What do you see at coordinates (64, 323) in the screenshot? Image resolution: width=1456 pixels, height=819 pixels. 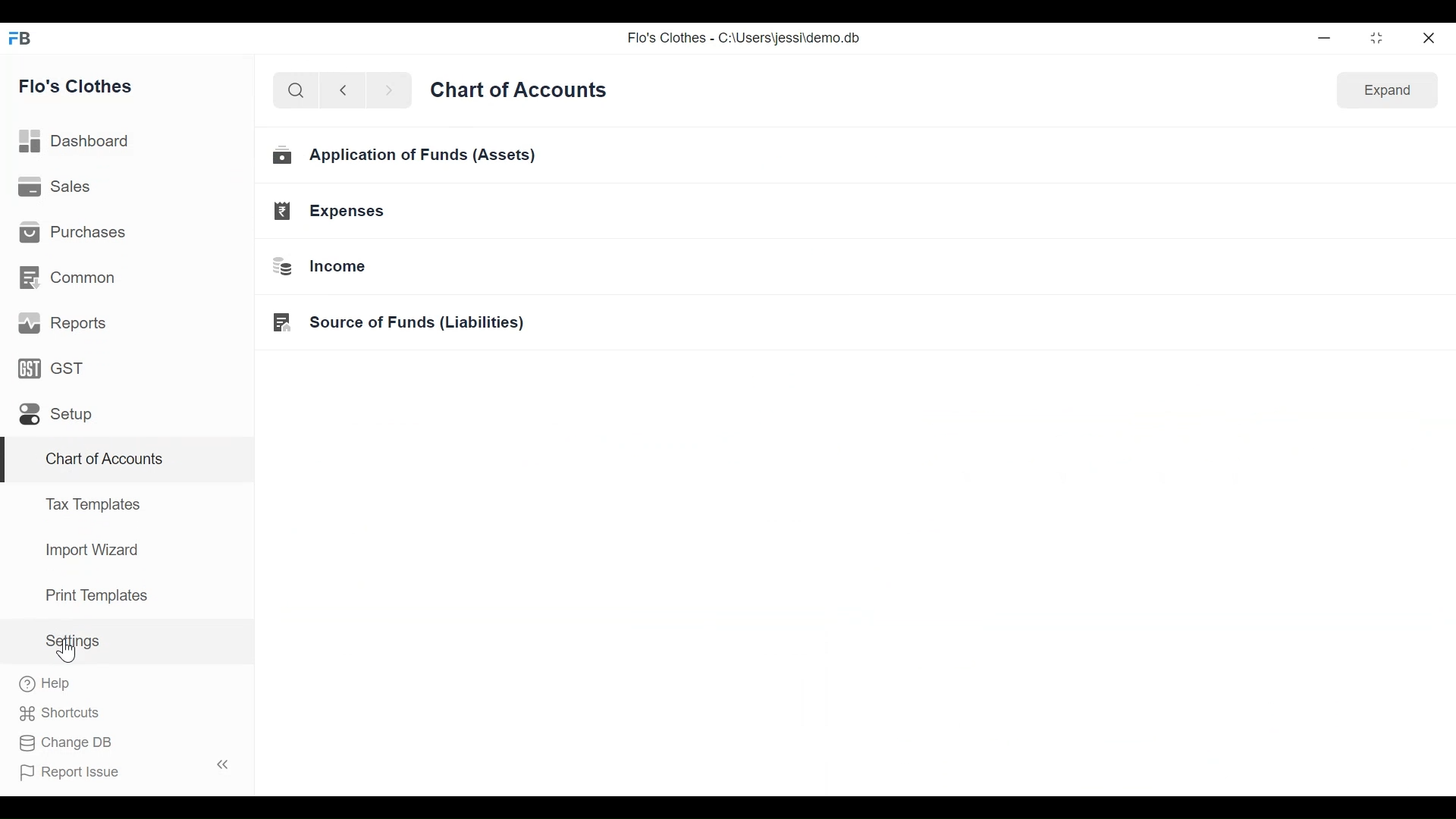 I see `reports` at bounding box center [64, 323].